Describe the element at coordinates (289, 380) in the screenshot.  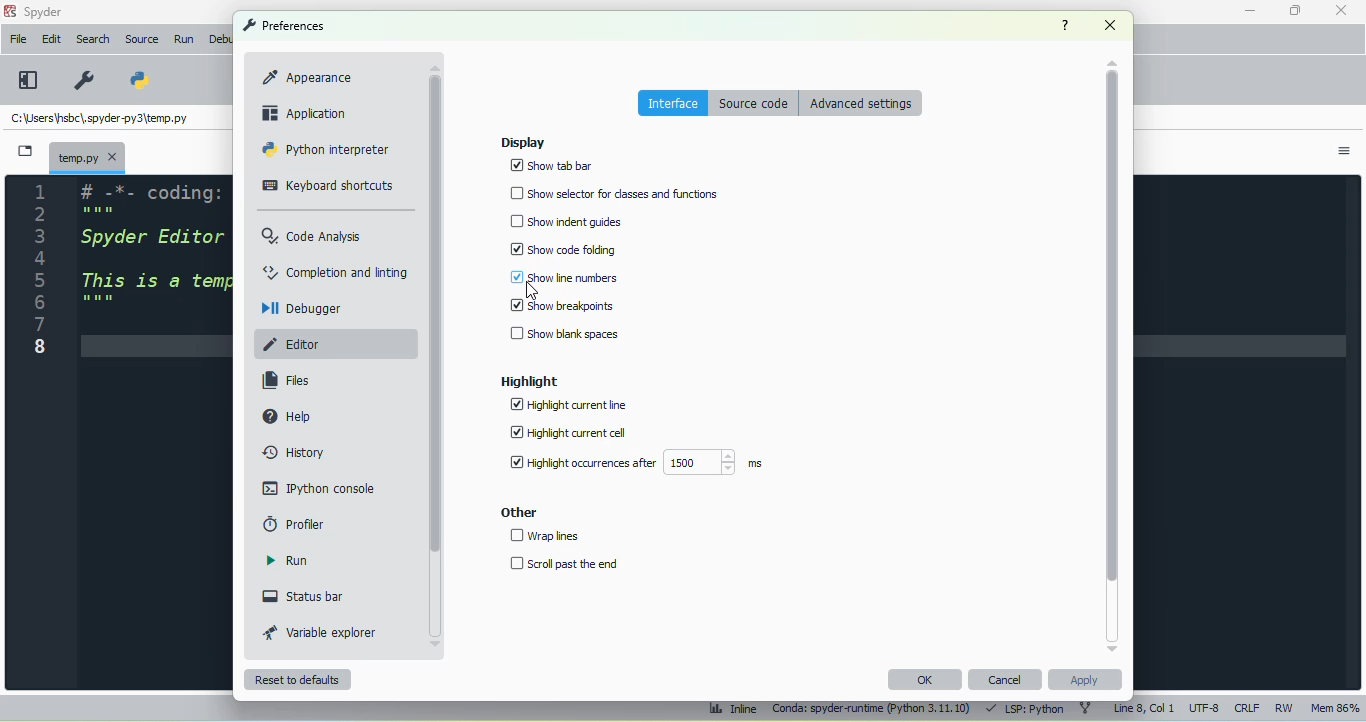
I see `files` at that location.